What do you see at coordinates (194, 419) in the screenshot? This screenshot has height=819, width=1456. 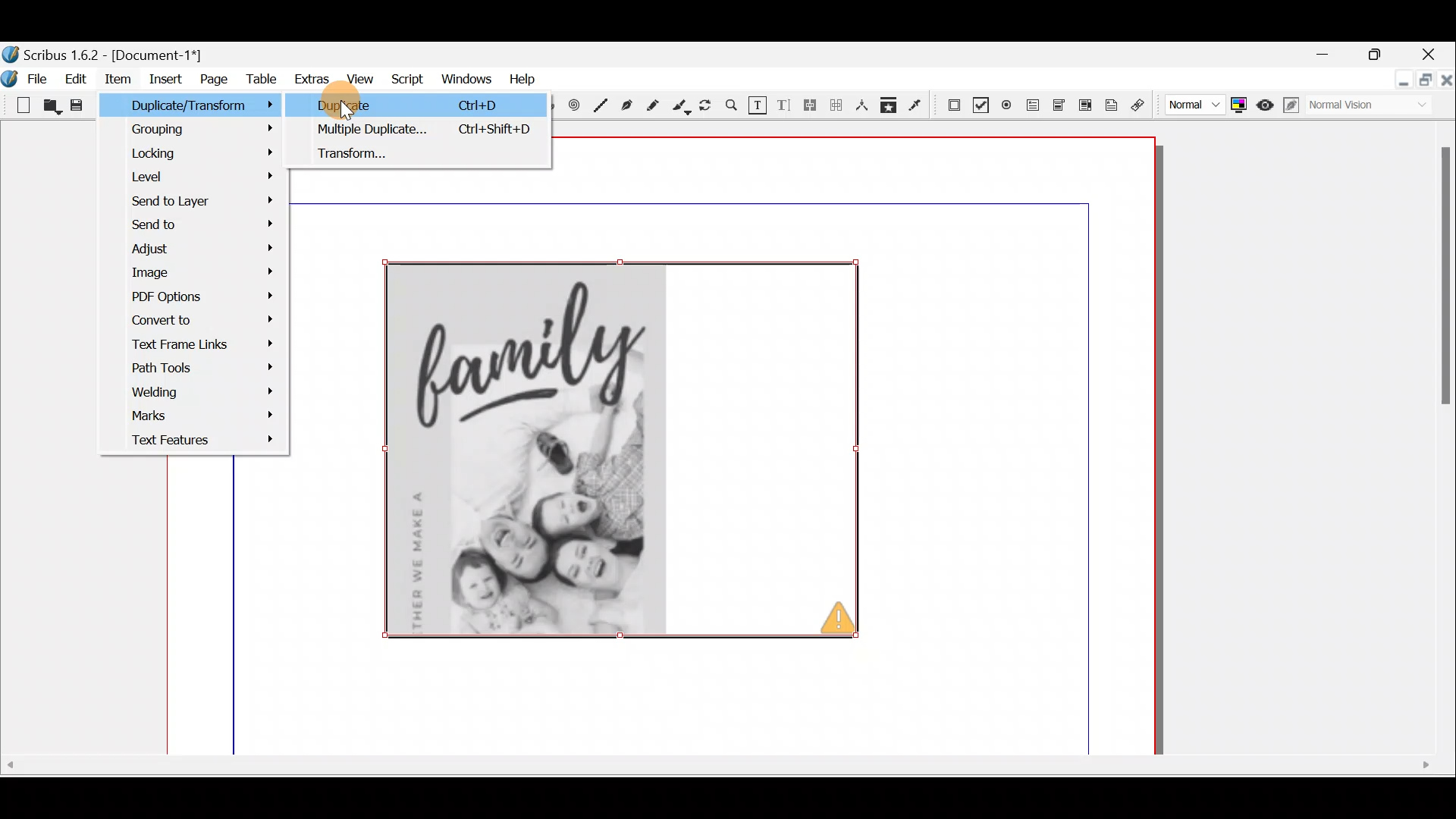 I see `Marks` at bounding box center [194, 419].